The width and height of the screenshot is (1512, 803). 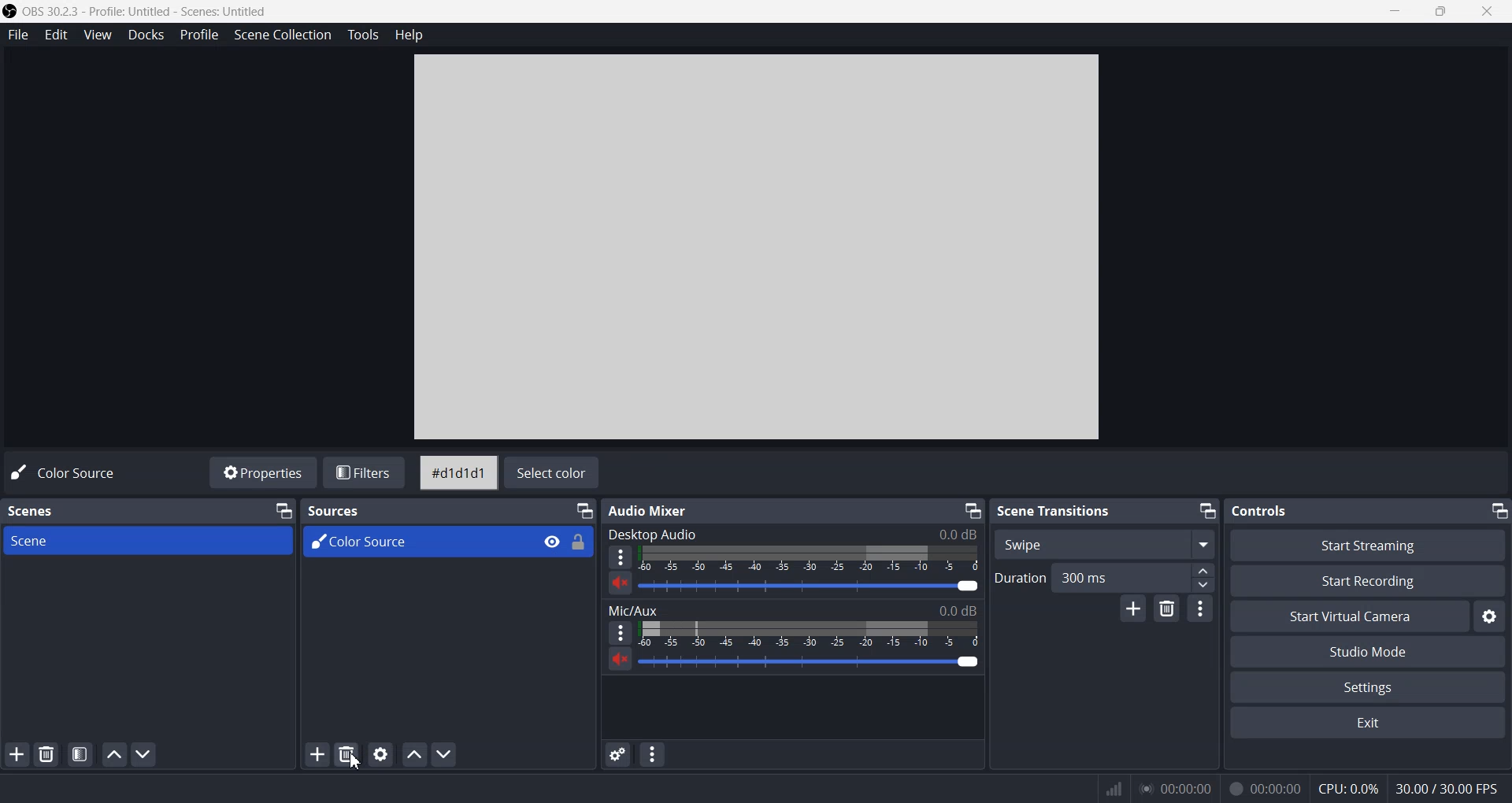 I want to click on 300 ms, so click(x=1134, y=576).